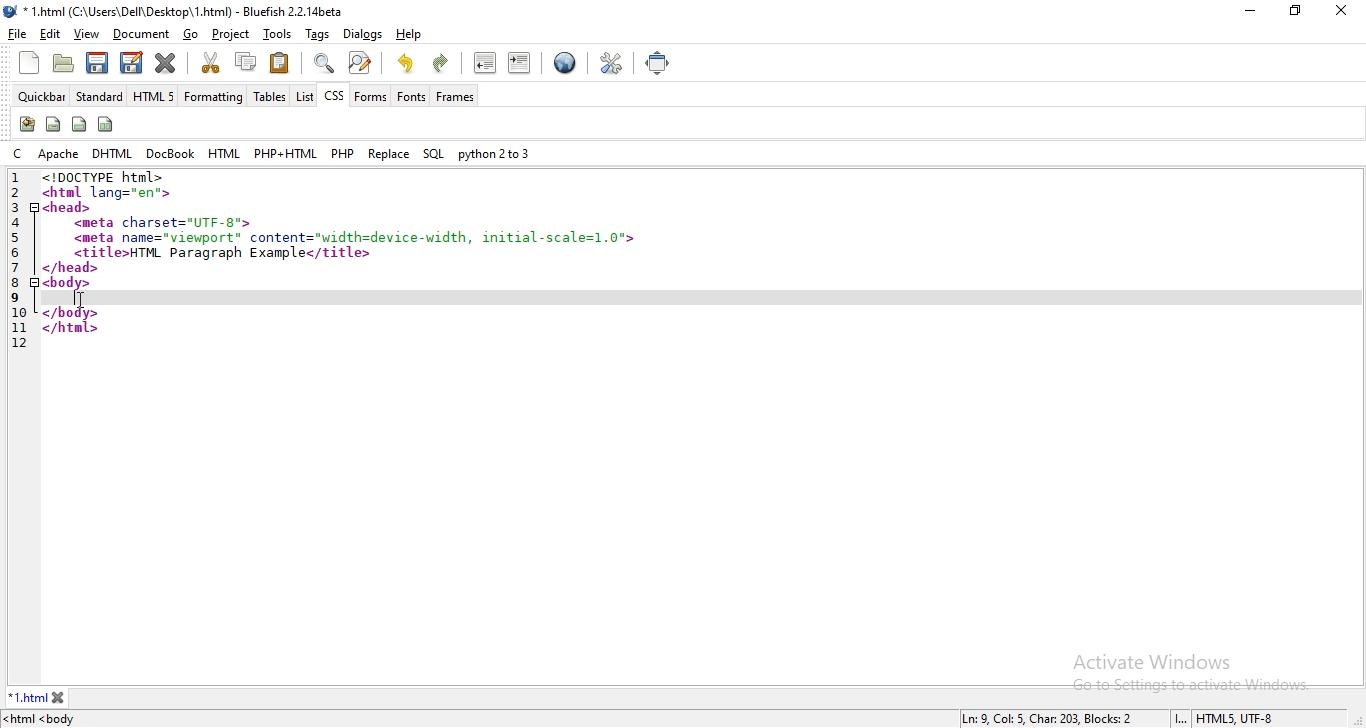 This screenshot has width=1366, height=728. Describe the element at coordinates (280, 63) in the screenshot. I see `paste` at that location.